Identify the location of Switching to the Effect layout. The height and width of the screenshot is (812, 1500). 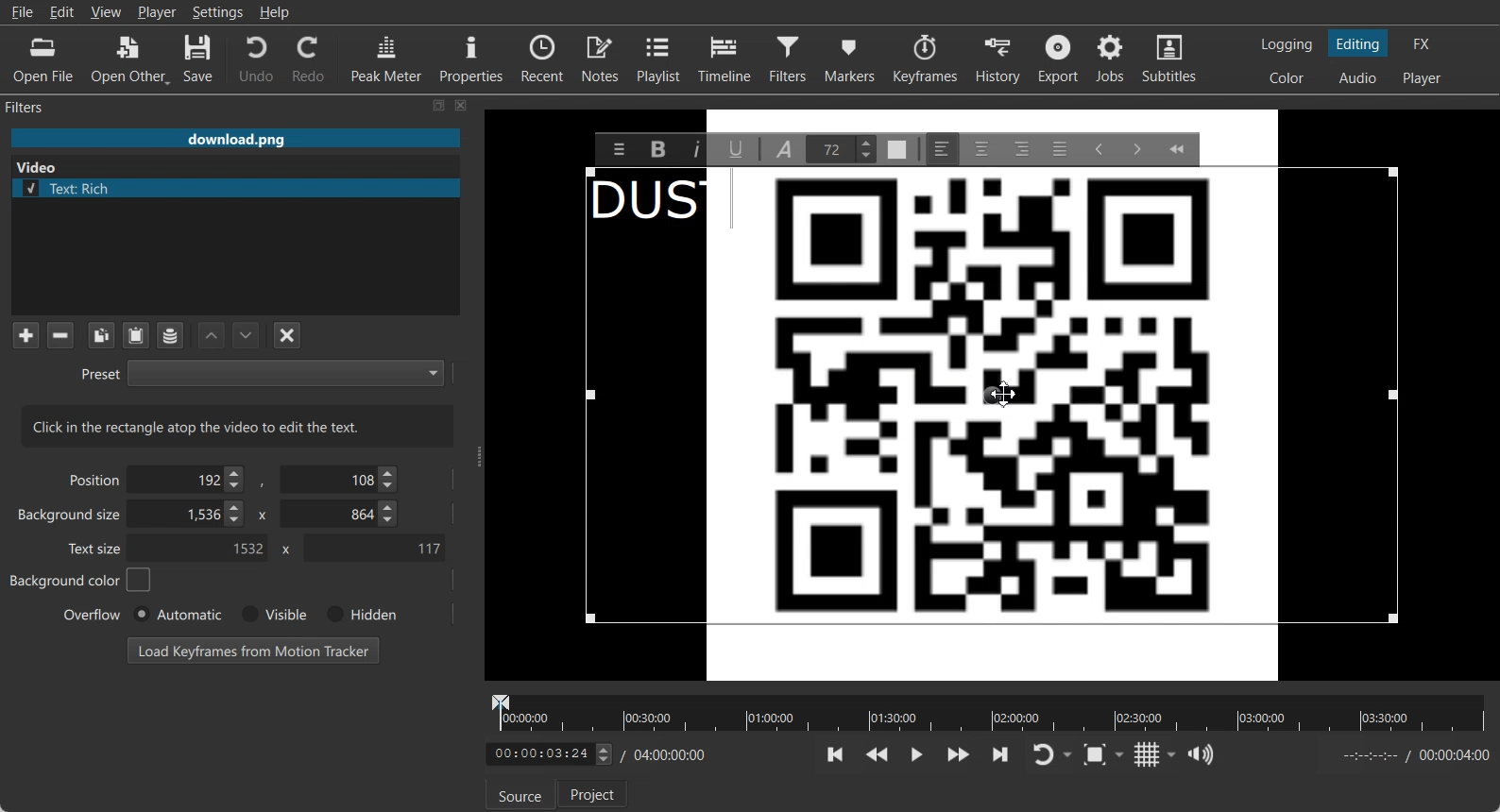
(1423, 43).